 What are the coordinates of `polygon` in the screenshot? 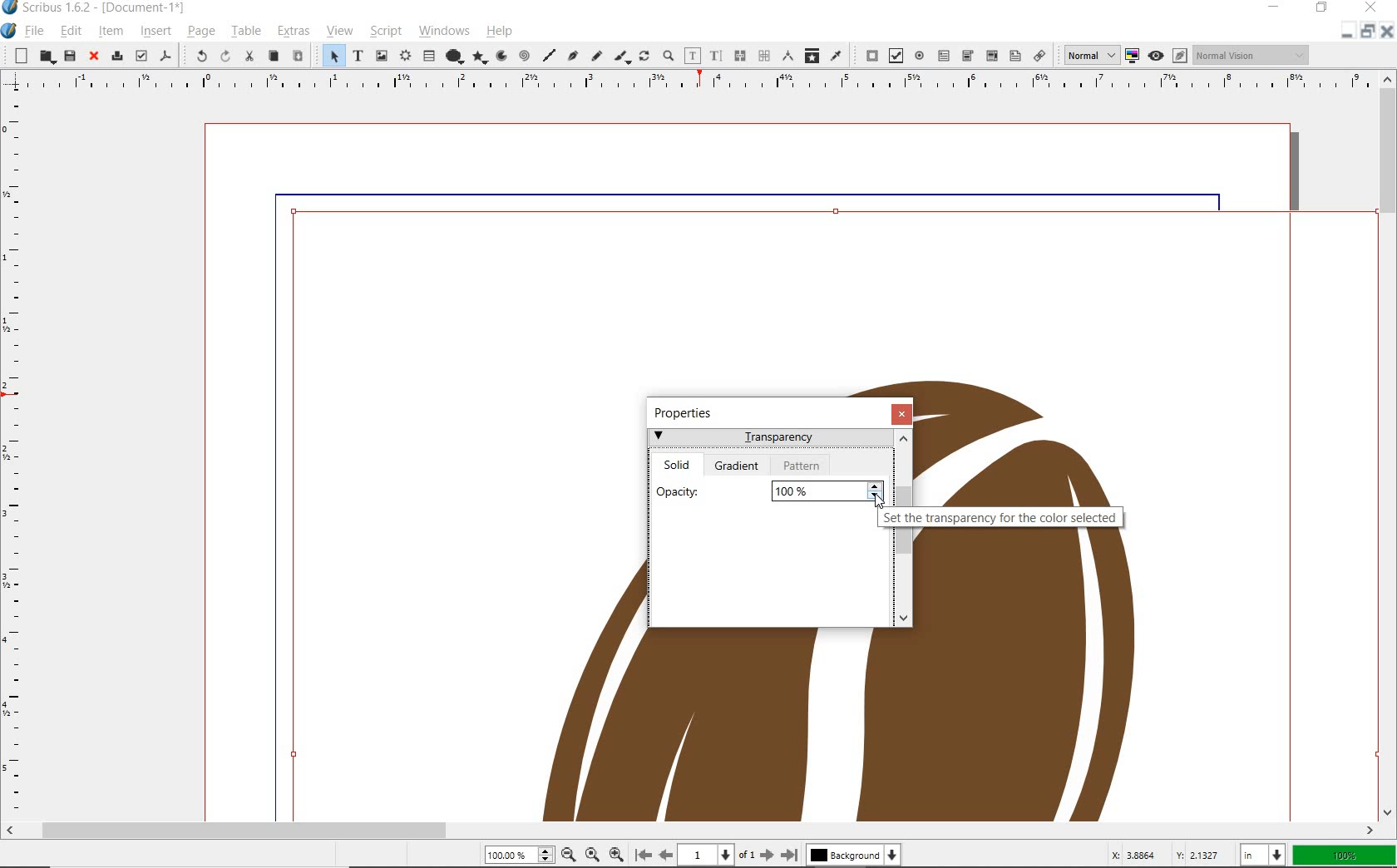 It's located at (481, 57).